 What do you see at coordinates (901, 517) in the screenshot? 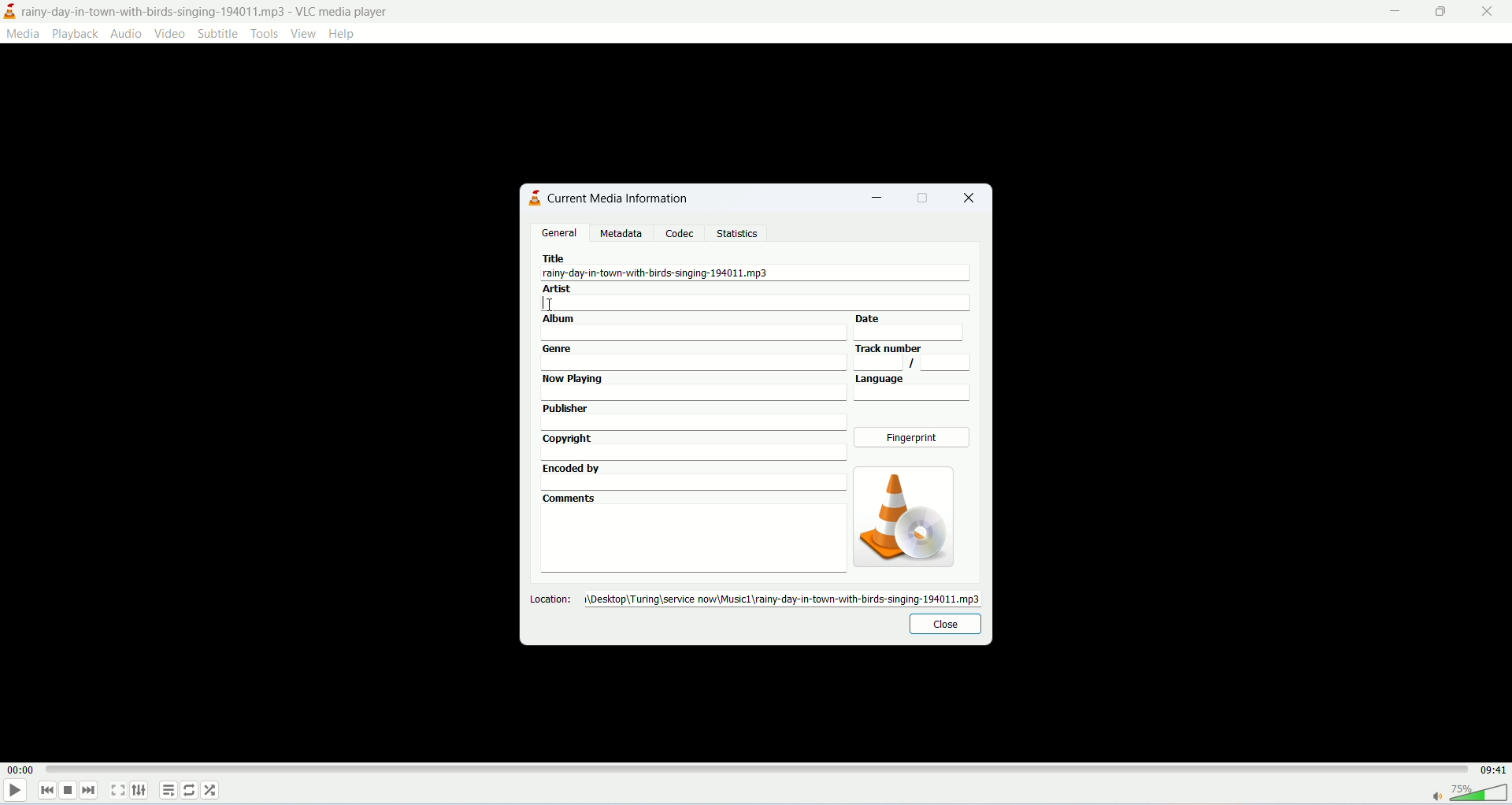
I see `image` at bounding box center [901, 517].